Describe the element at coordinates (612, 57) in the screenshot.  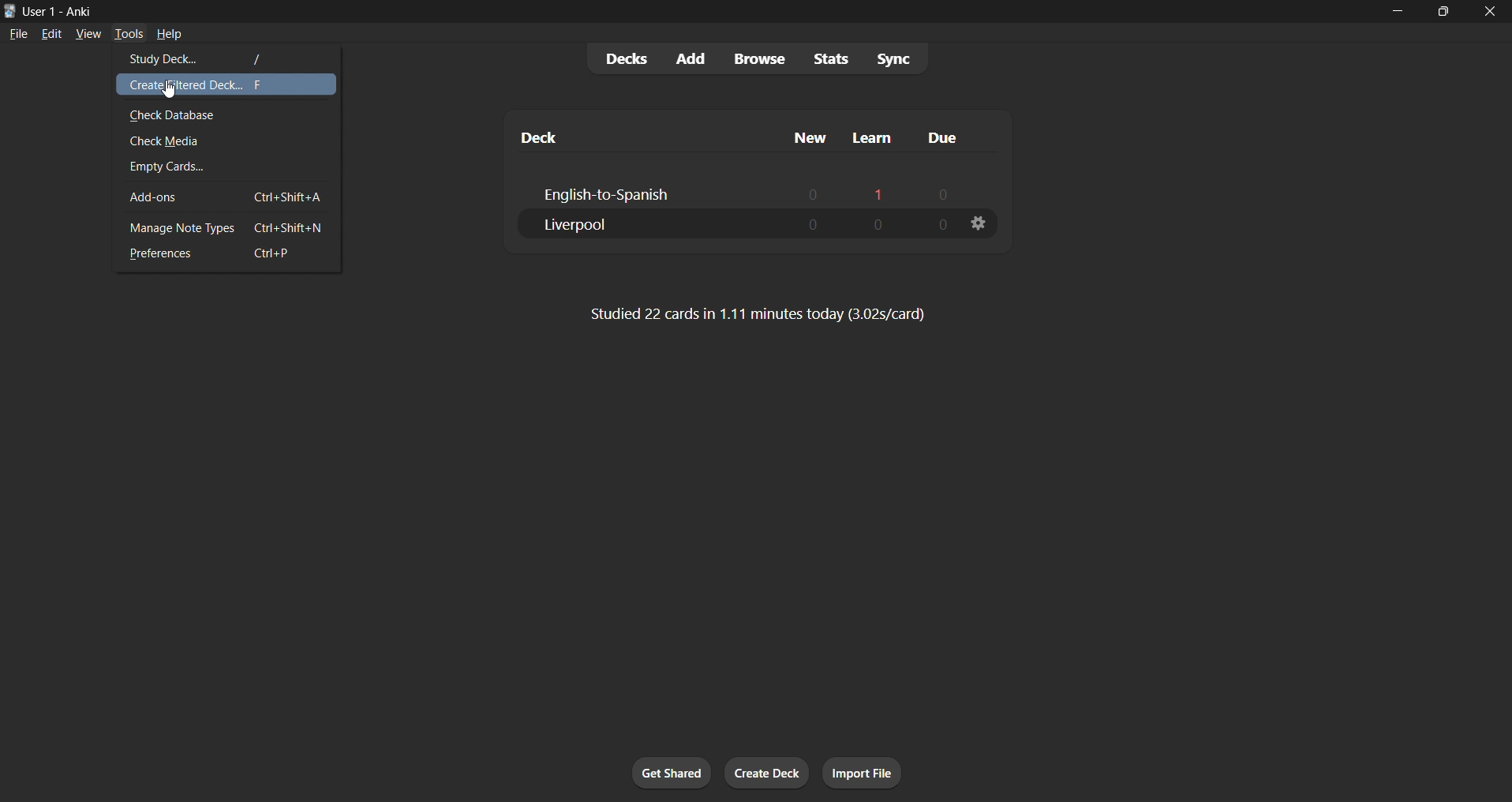
I see `decks` at that location.